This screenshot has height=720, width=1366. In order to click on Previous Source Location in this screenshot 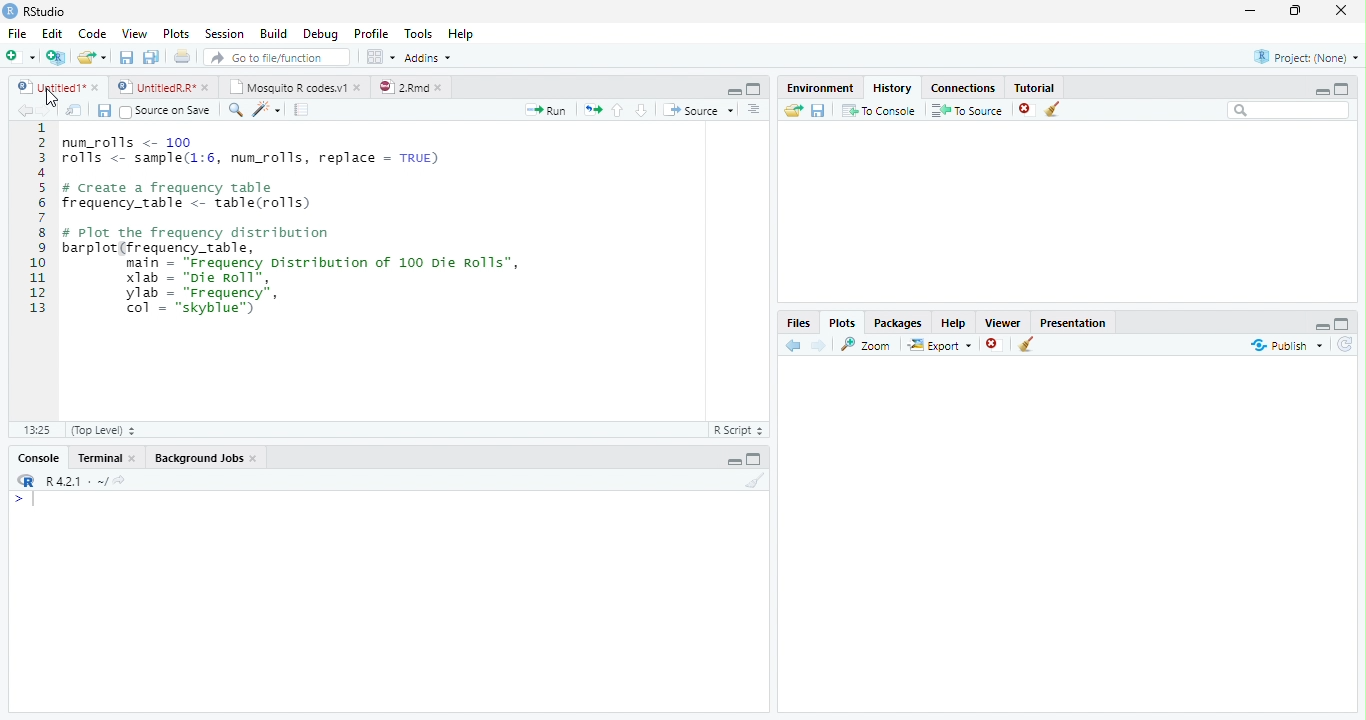, I will do `click(22, 110)`.